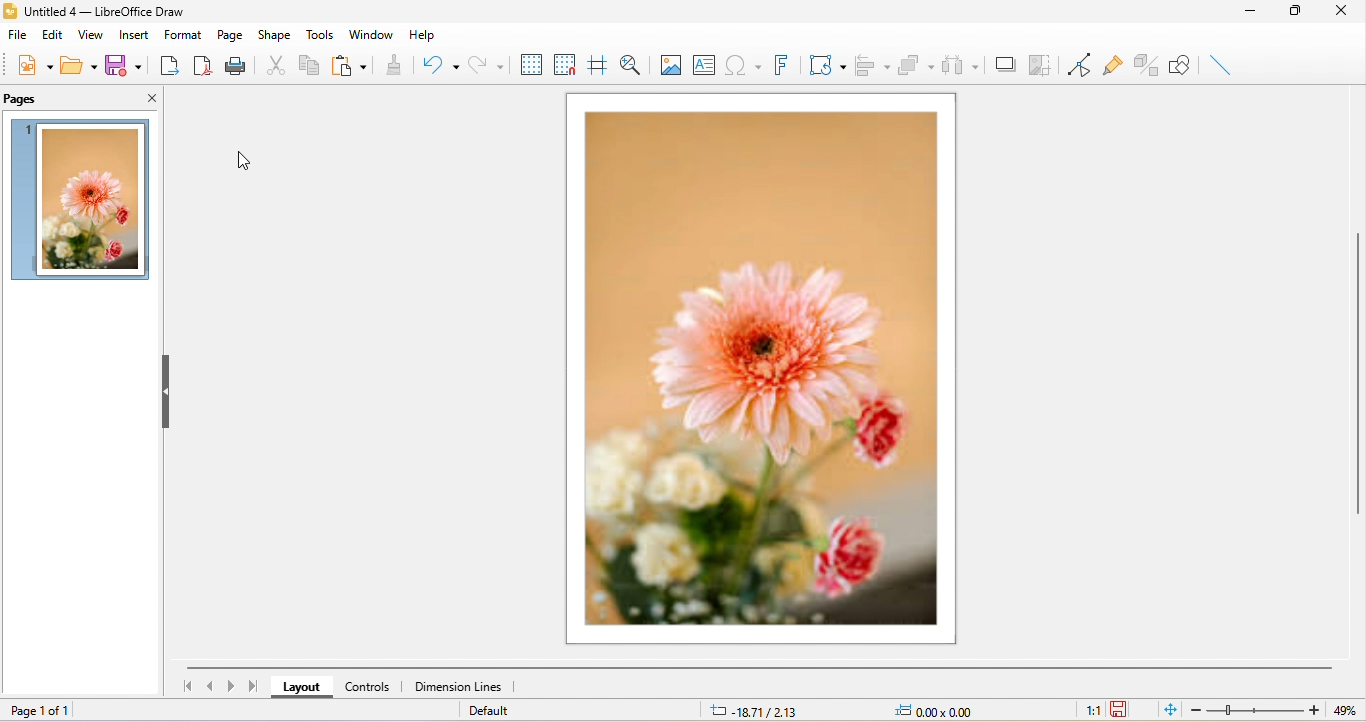  Describe the element at coordinates (321, 32) in the screenshot. I see `tools` at that location.